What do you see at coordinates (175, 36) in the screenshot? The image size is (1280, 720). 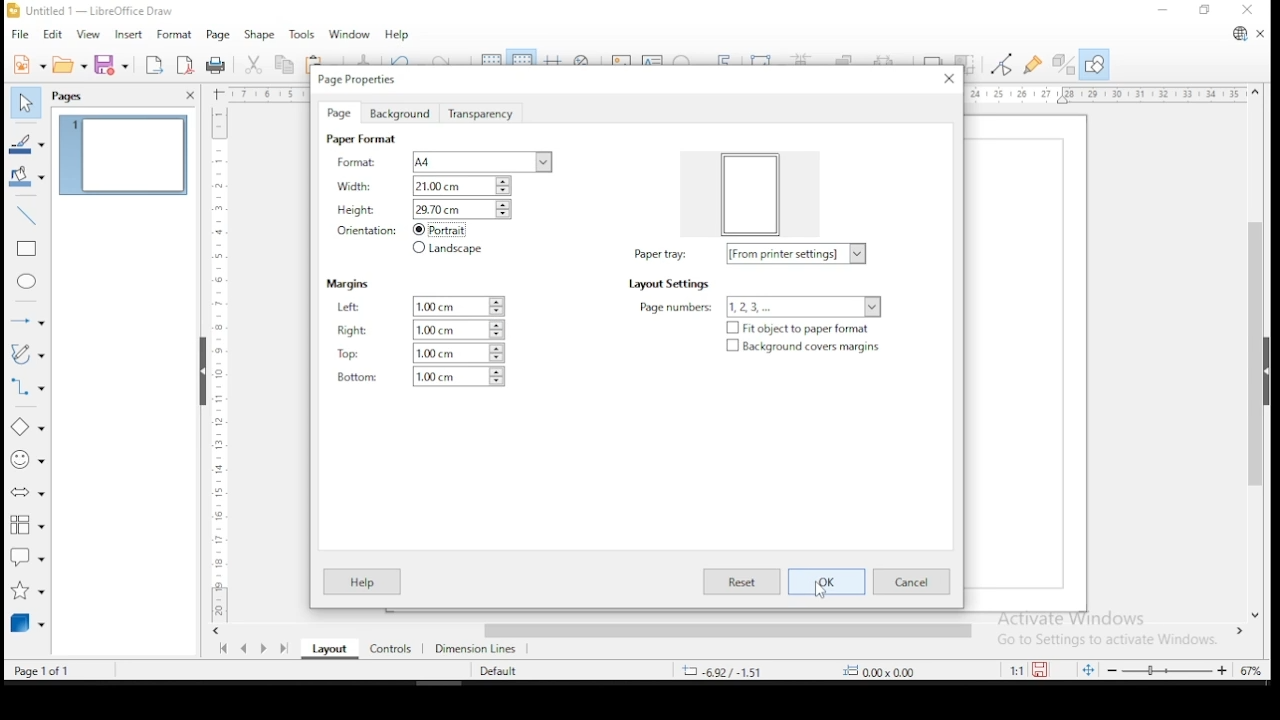 I see `format` at bounding box center [175, 36].